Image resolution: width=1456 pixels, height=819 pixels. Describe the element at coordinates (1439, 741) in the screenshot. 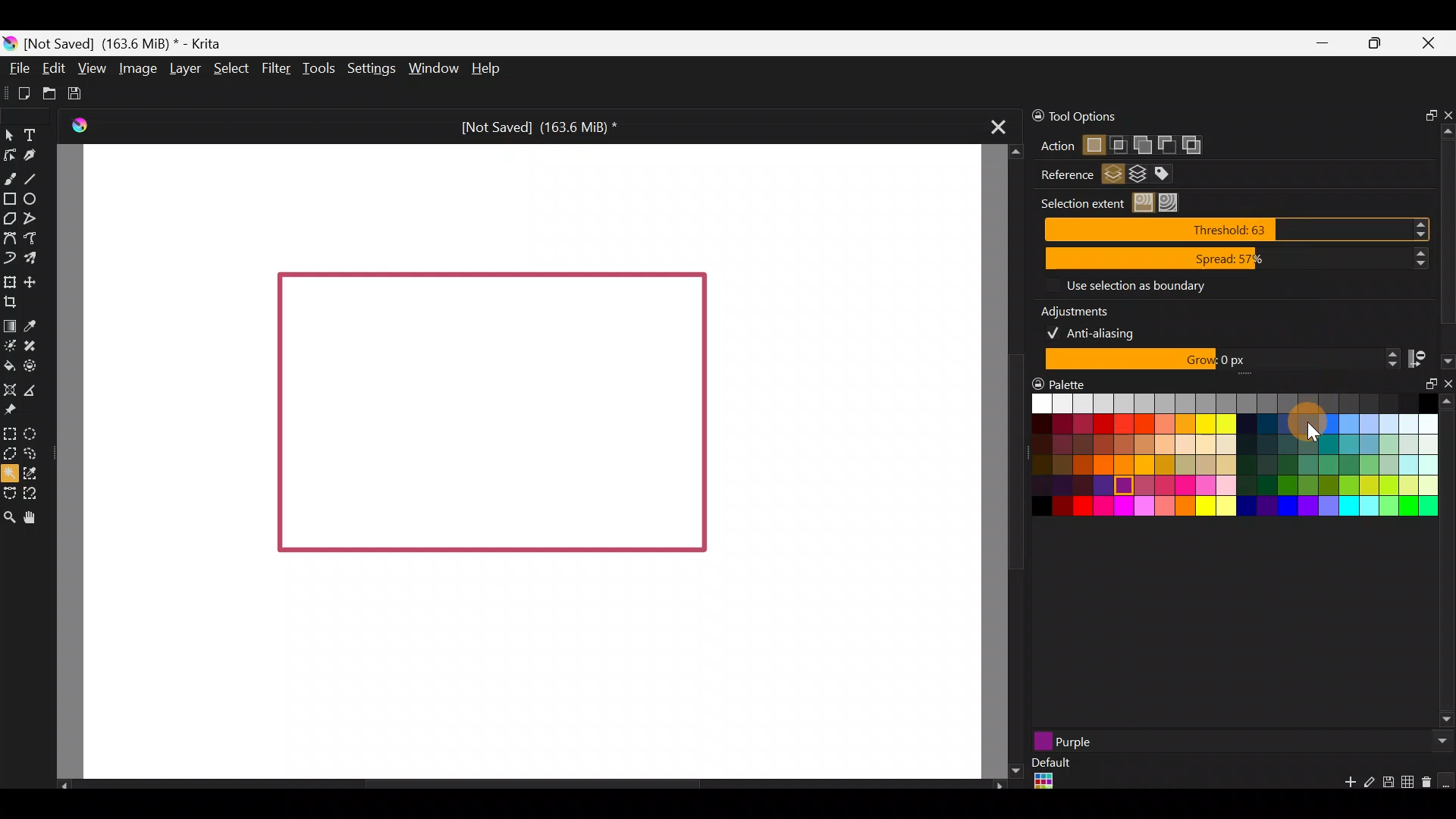

I see `Scroll button` at that location.